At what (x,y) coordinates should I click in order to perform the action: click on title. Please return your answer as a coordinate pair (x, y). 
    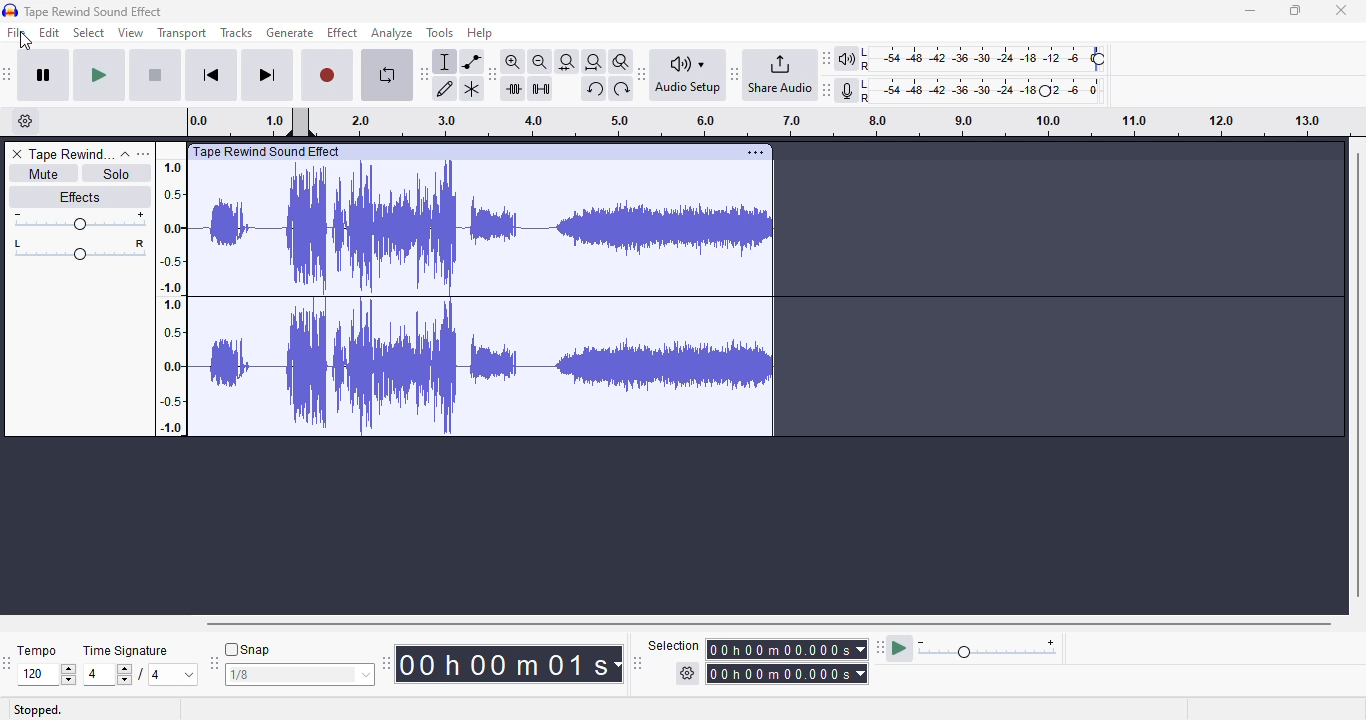
    Looking at the image, I should click on (93, 11).